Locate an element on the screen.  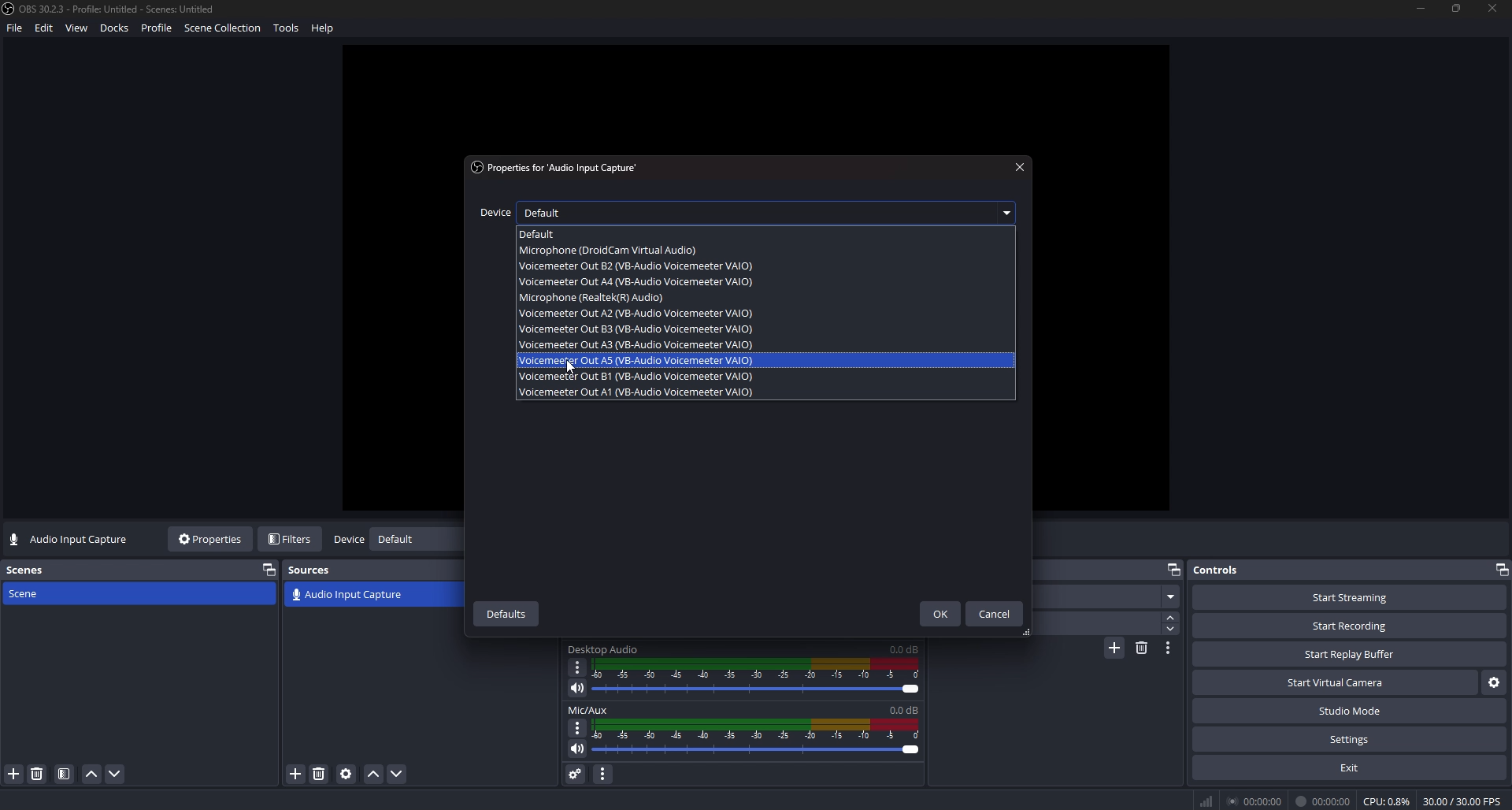
remove scene is located at coordinates (37, 774).